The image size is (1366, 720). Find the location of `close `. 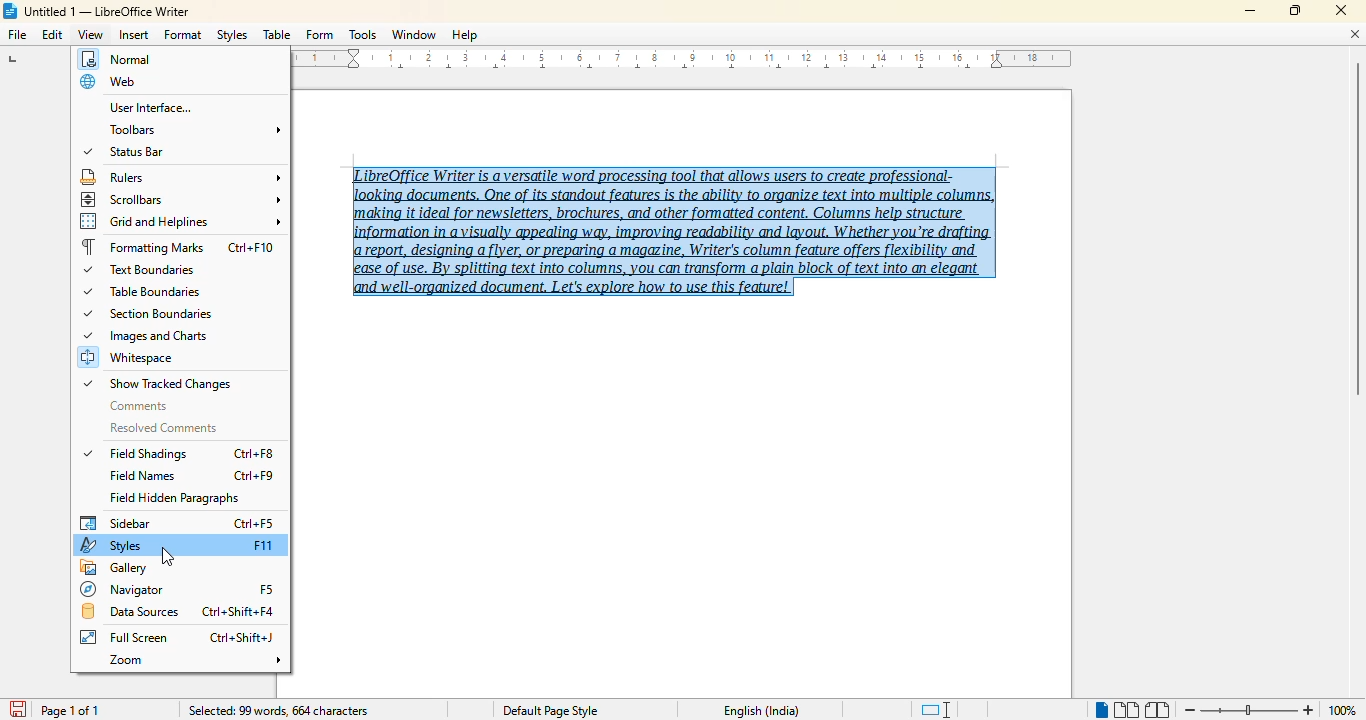

close  is located at coordinates (1341, 10).